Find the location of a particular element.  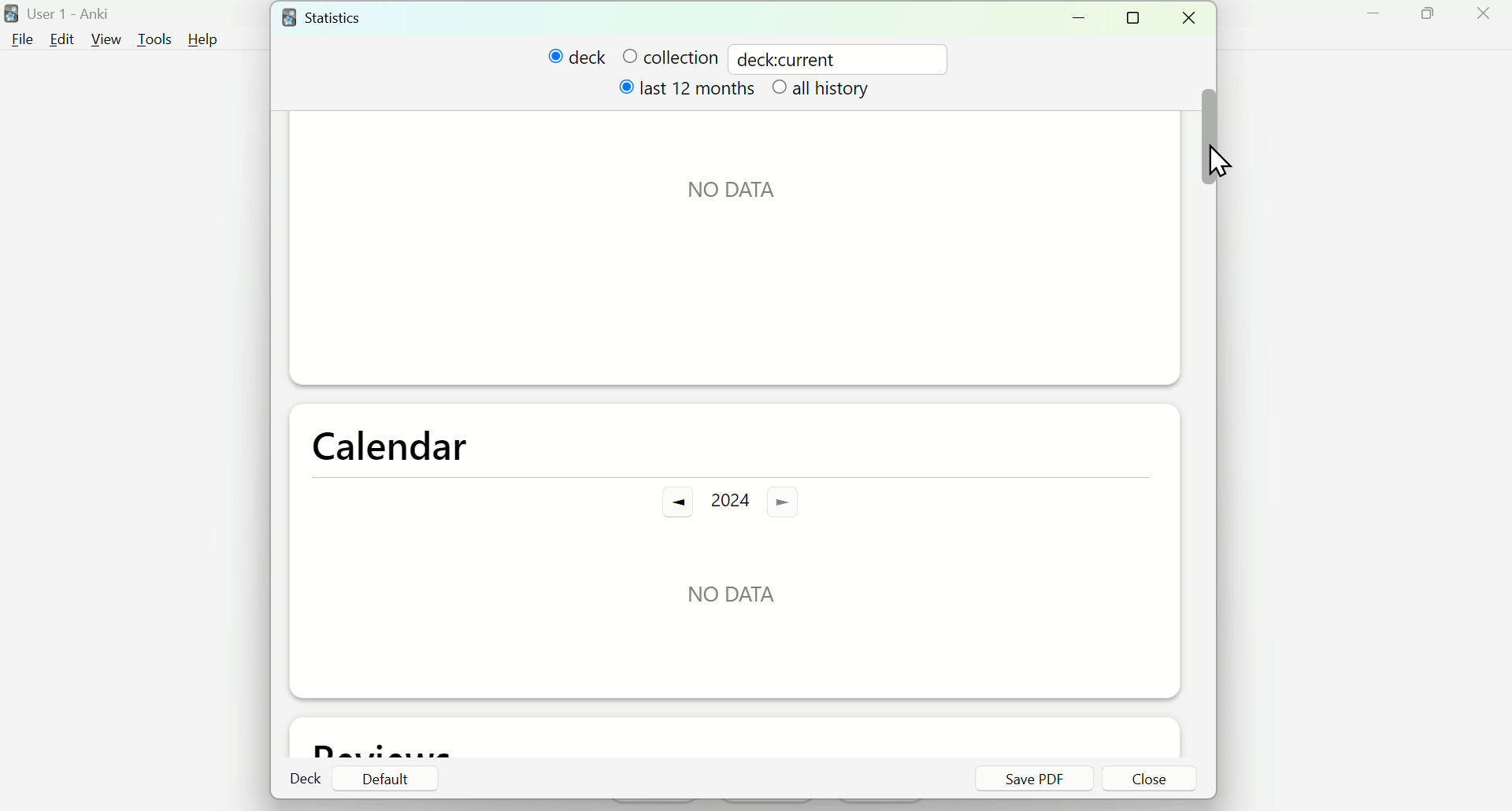

View is located at coordinates (107, 37).